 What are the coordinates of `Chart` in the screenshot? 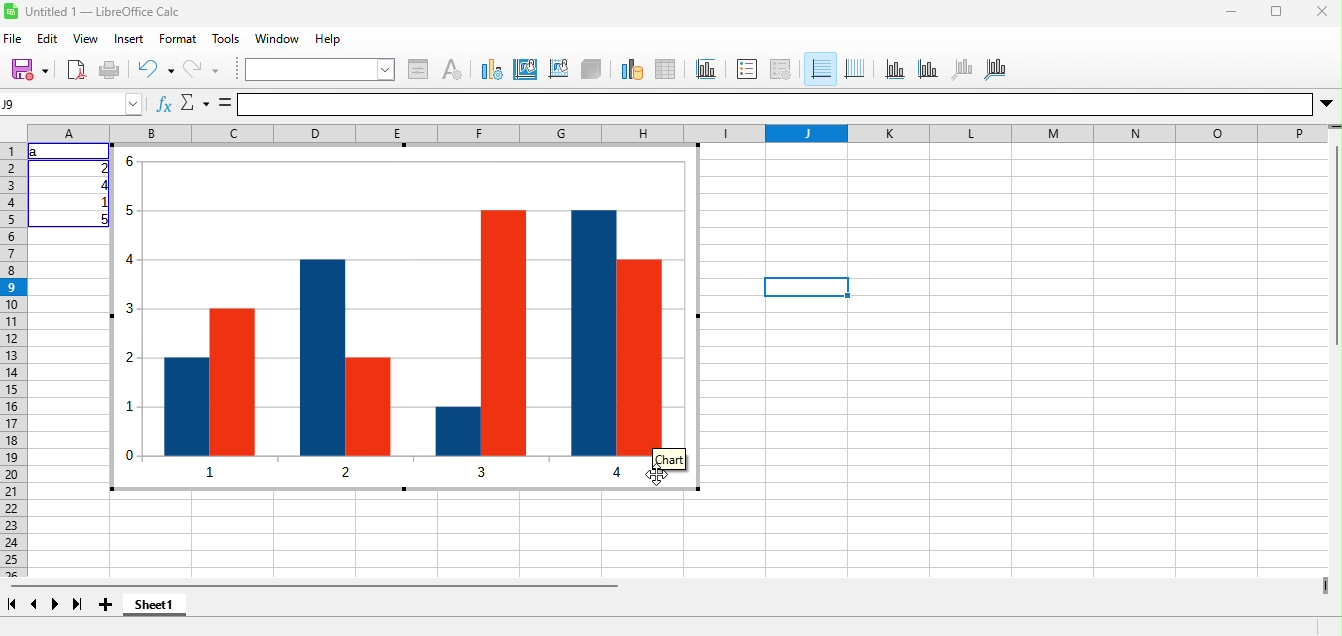 It's located at (669, 459).